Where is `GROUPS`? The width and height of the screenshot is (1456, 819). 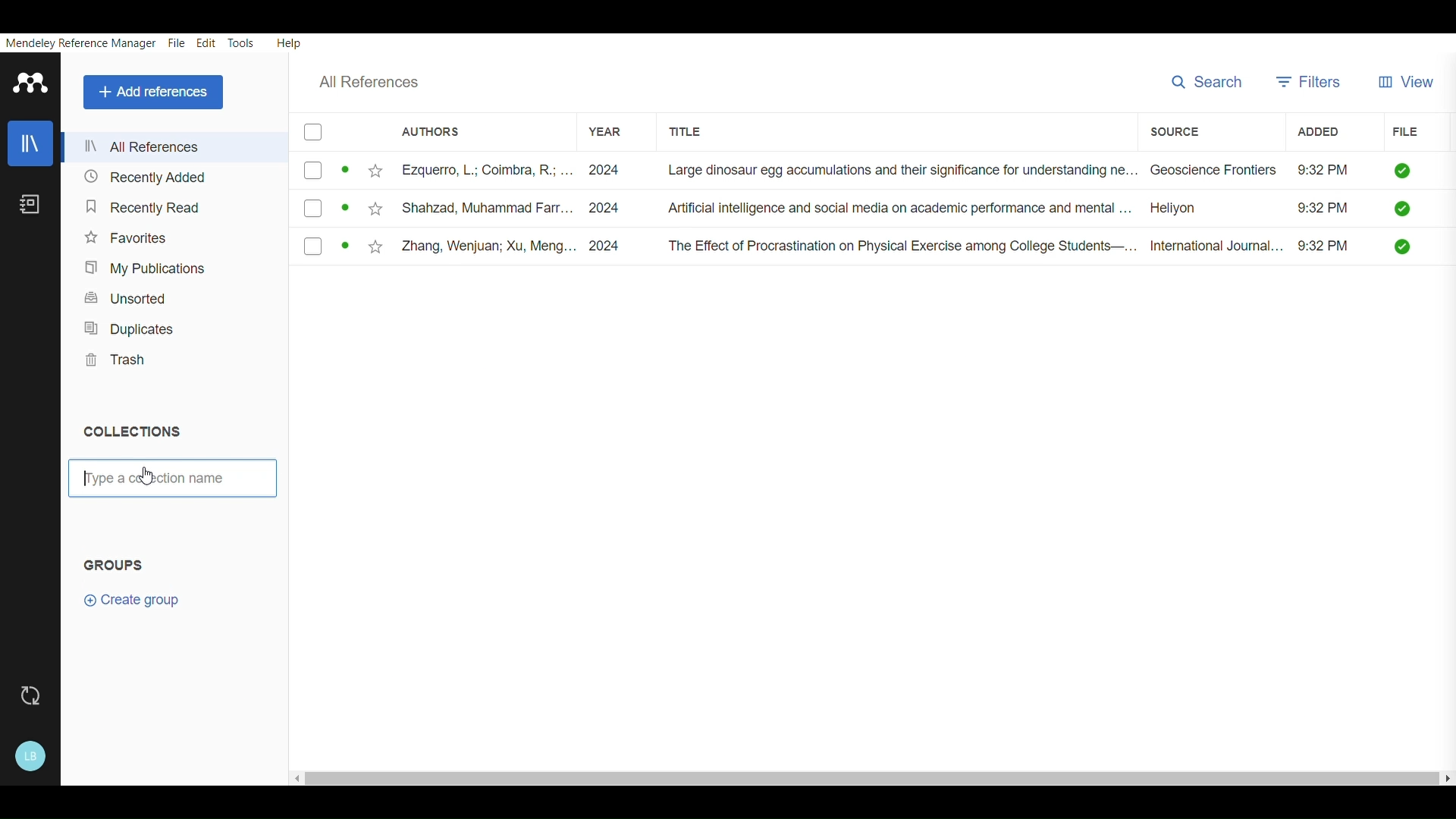 GROUPS is located at coordinates (119, 563).